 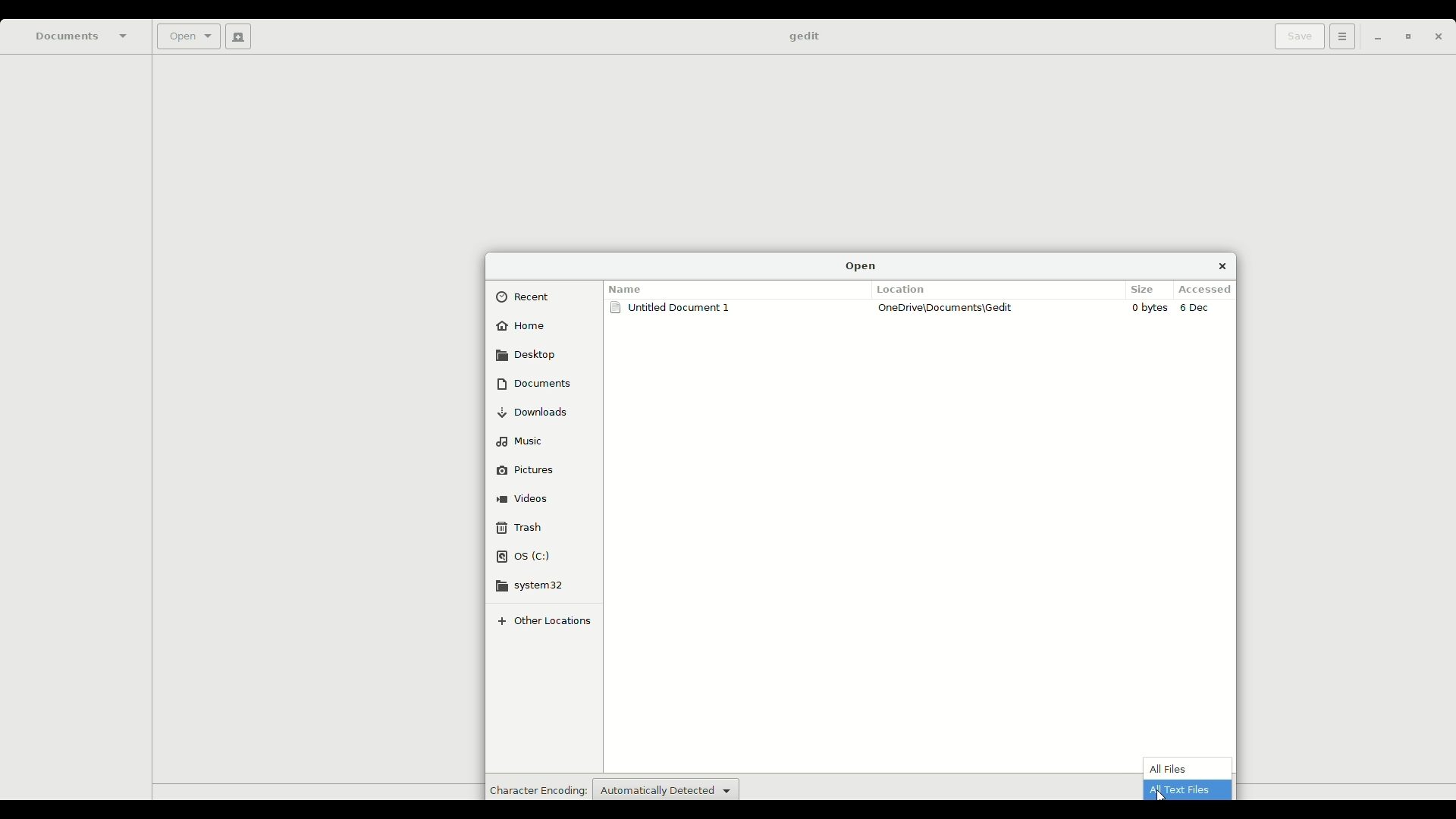 I want to click on Open, so click(x=187, y=38).